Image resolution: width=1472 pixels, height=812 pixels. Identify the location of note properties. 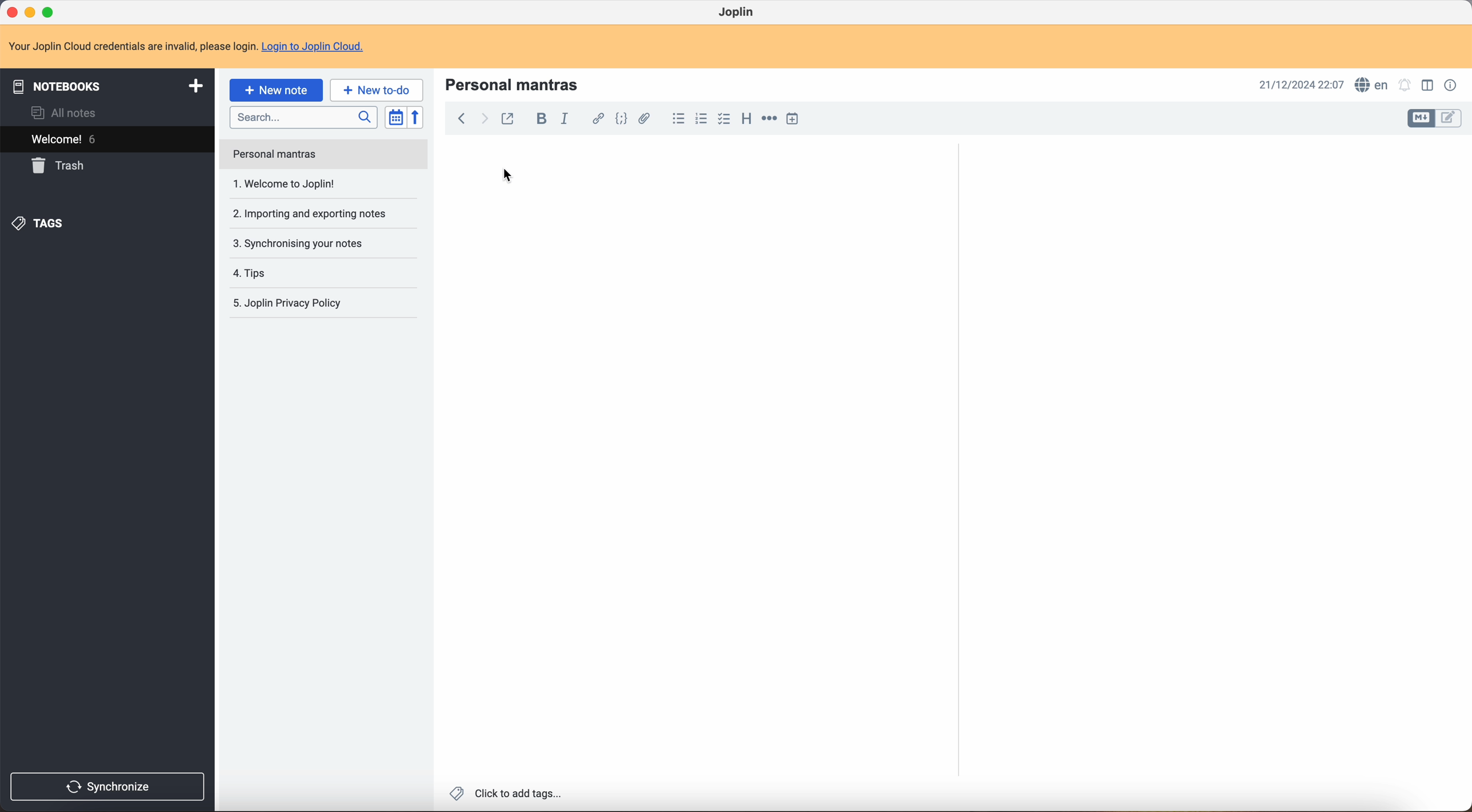
(1451, 86).